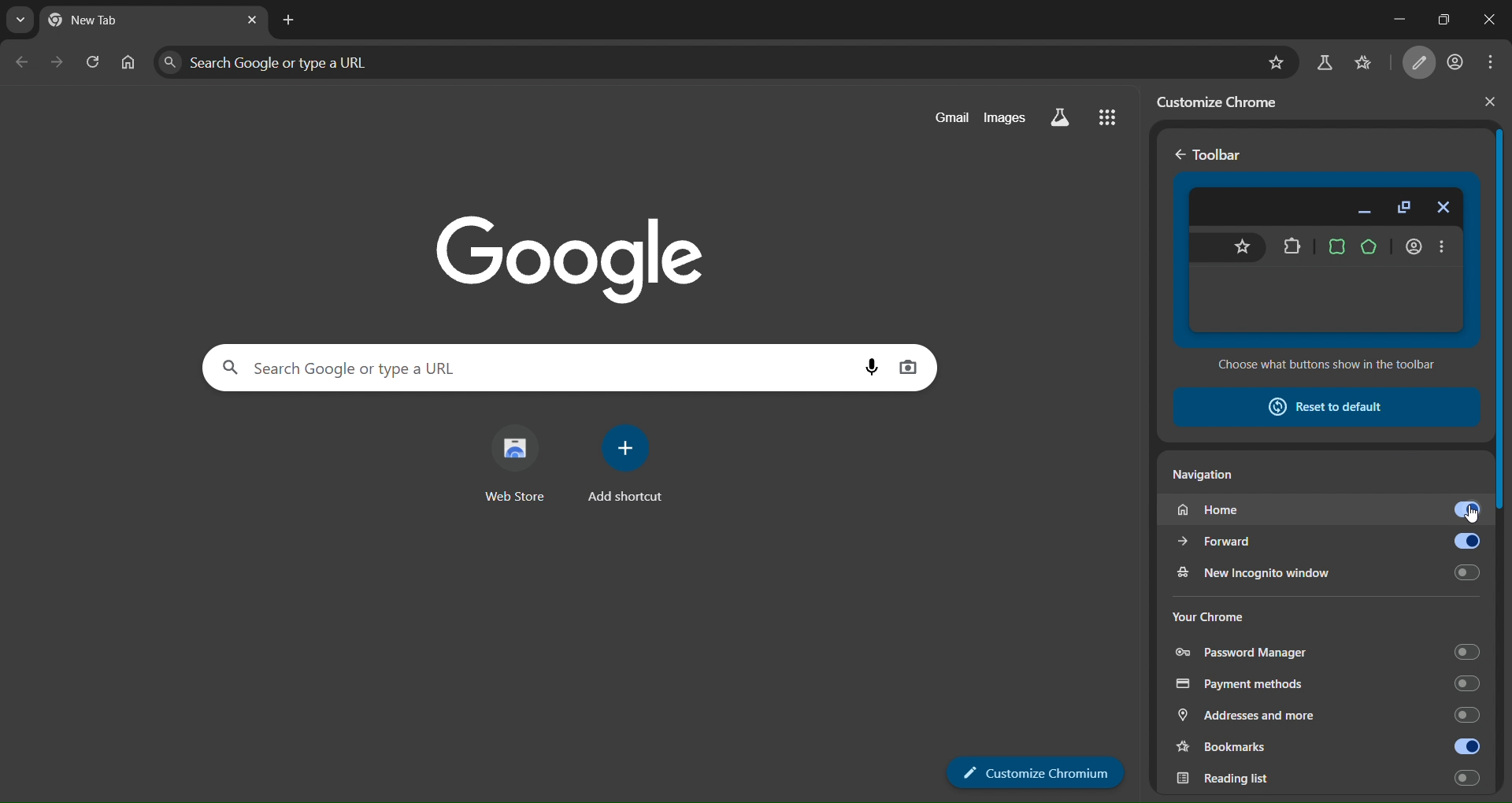 The width and height of the screenshot is (1512, 803). I want to click on images, so click(1008, 117).